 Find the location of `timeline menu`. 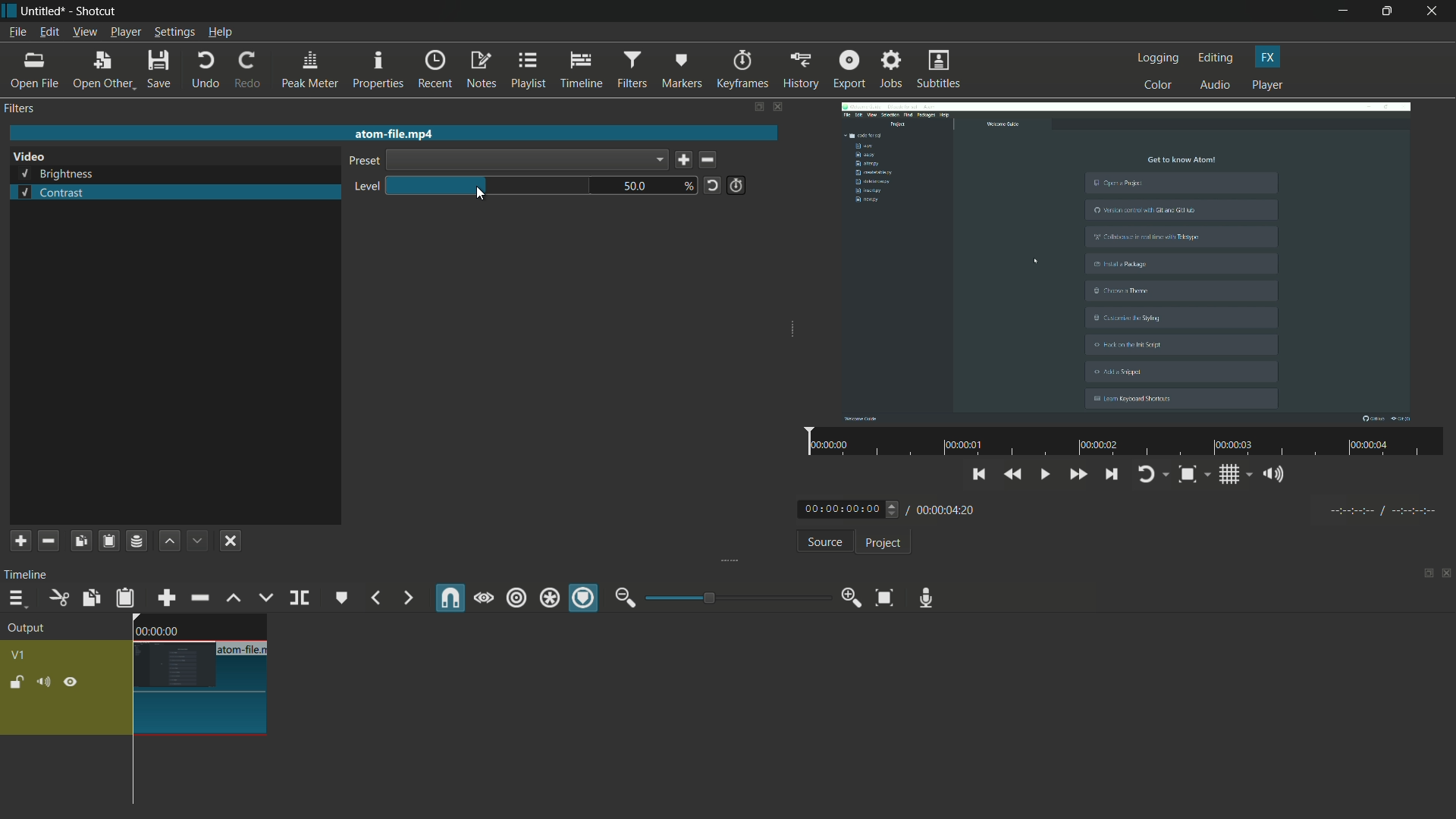

timeline menu is located at coordinates (17, 600).